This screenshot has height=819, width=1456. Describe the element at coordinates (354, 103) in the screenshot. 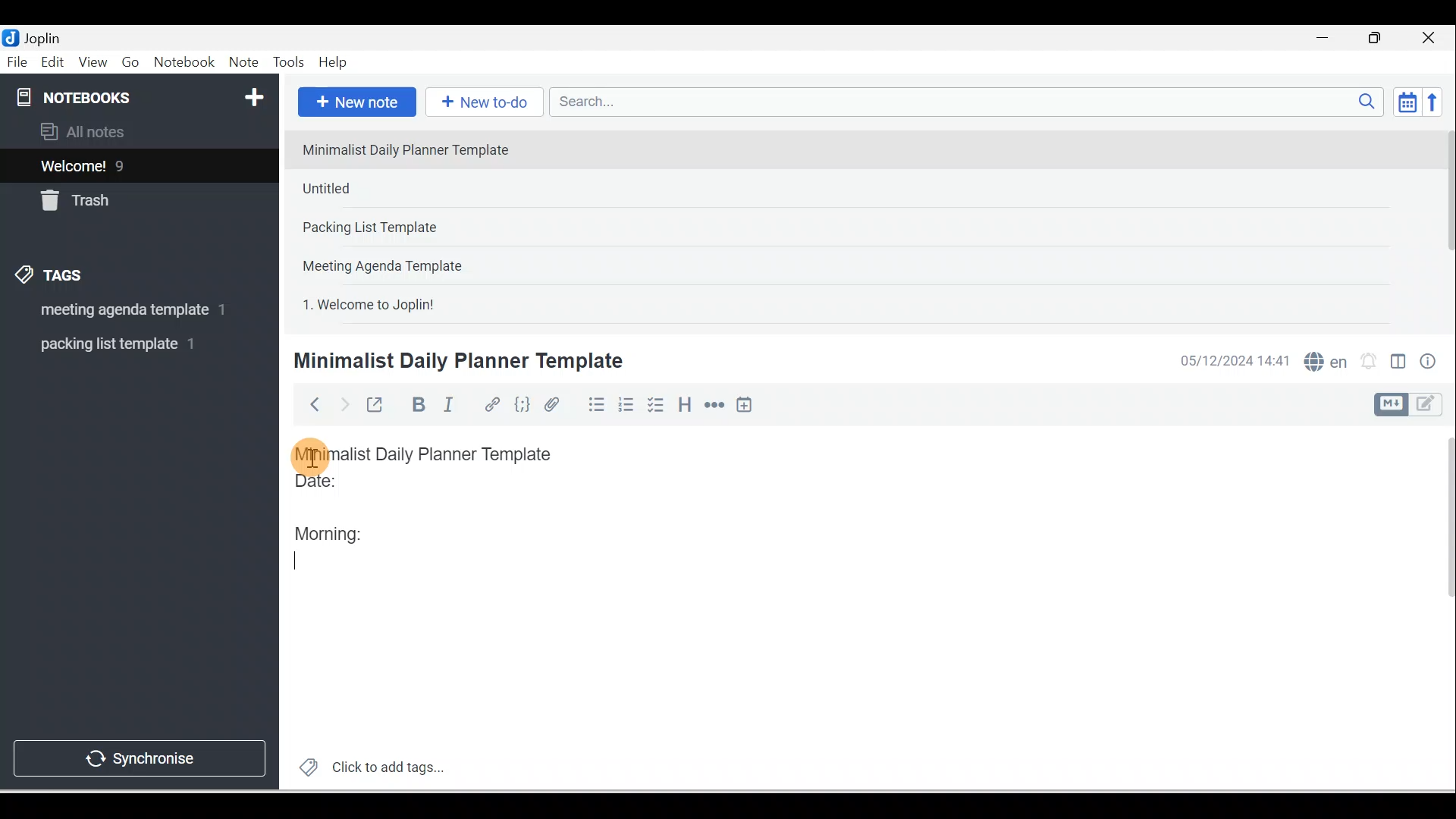

I see `New note` at that location.